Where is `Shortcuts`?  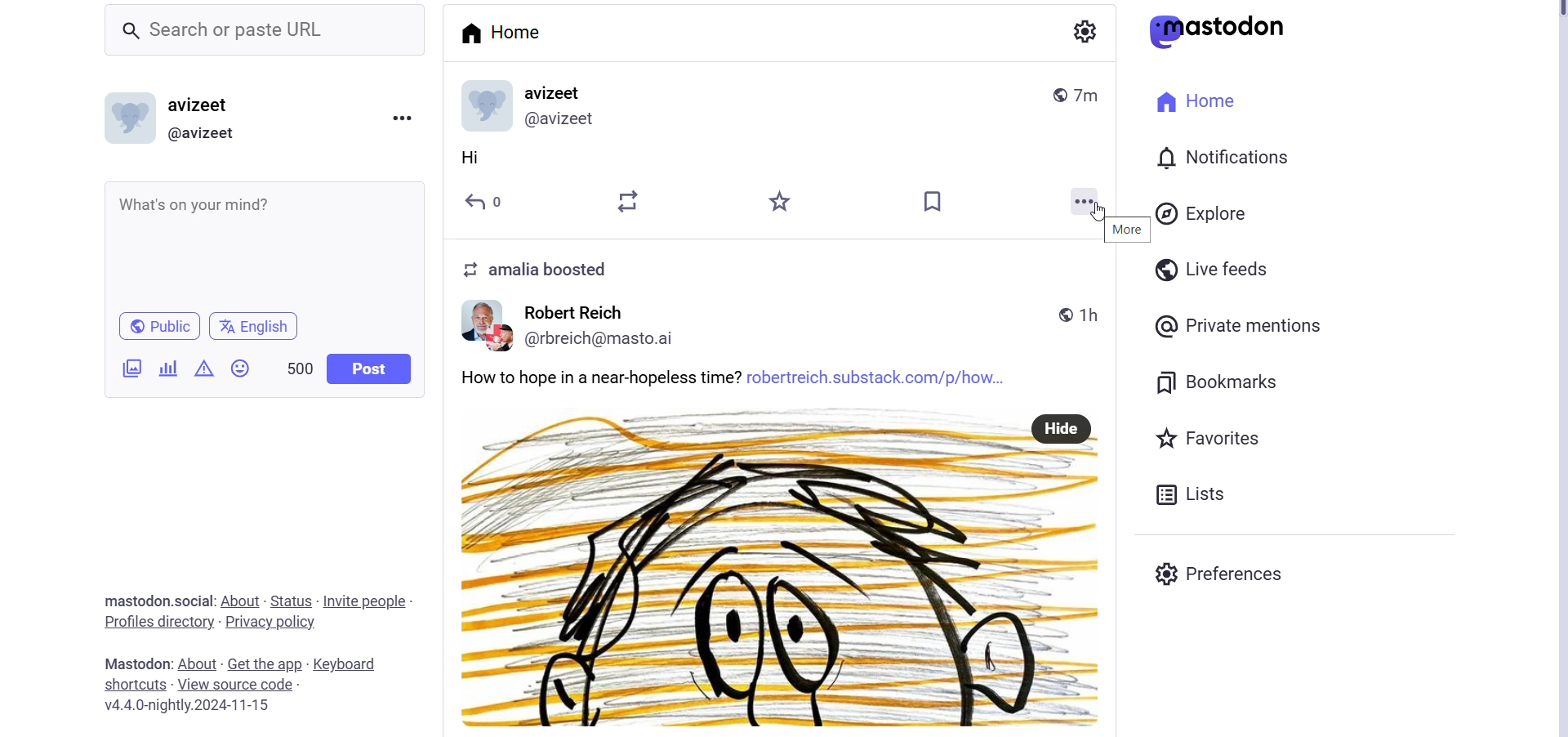 Shortcuts is located at coordinates (135, 683).